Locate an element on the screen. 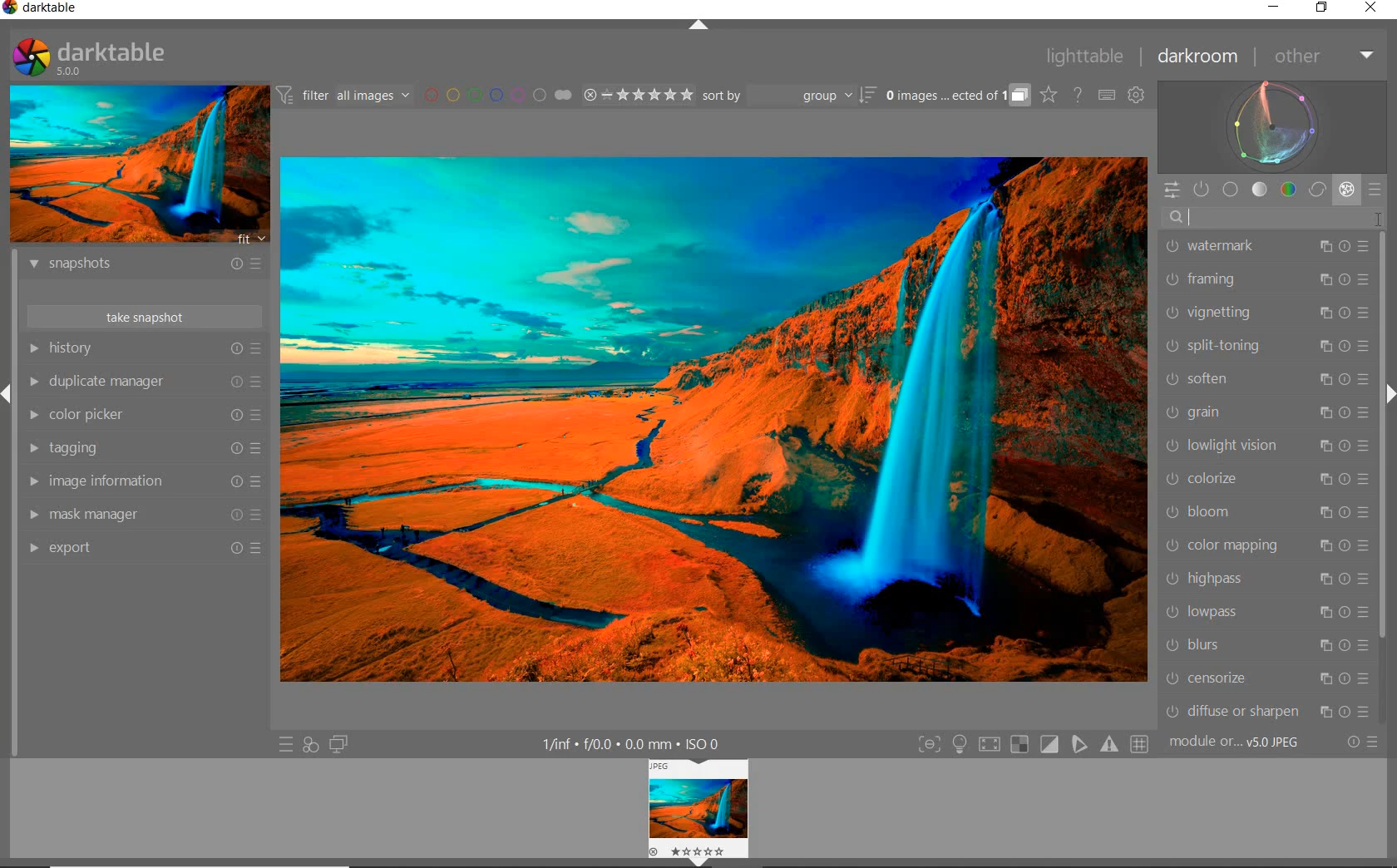  bloom is located at coordinates (1266, 513).